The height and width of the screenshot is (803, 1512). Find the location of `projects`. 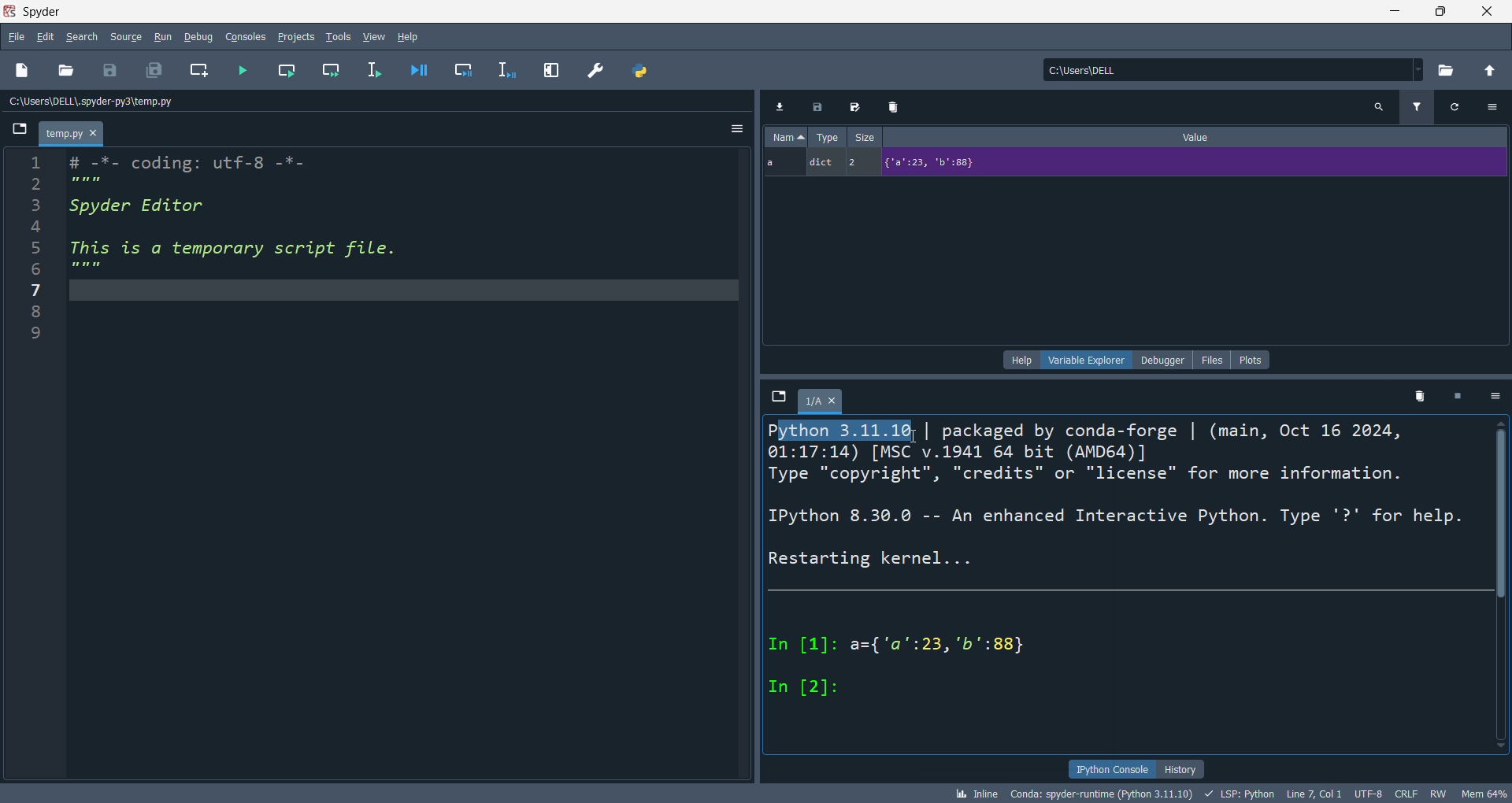

projects is located at coordinates (299, 37).